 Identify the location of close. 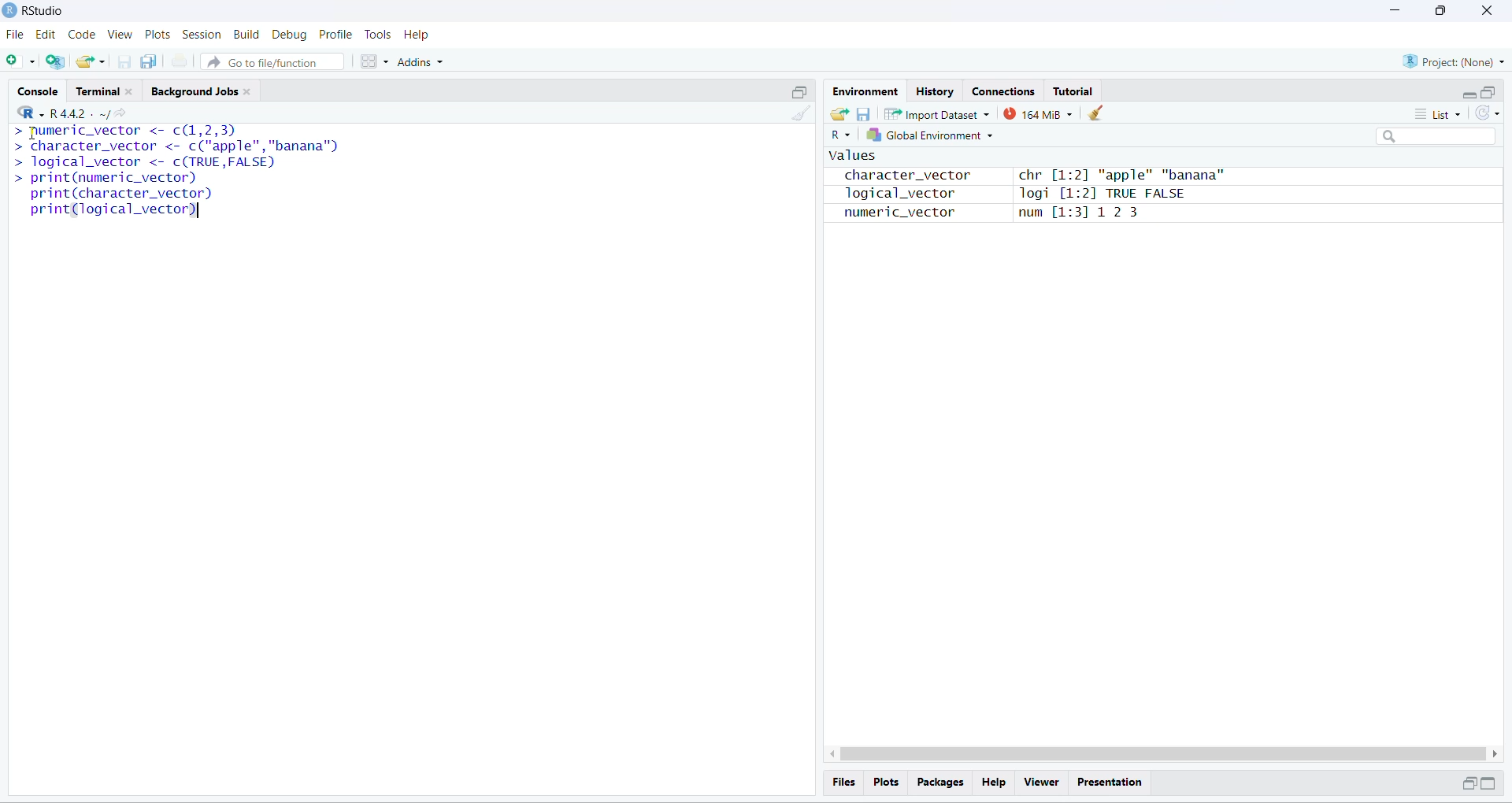
(1485, 10).